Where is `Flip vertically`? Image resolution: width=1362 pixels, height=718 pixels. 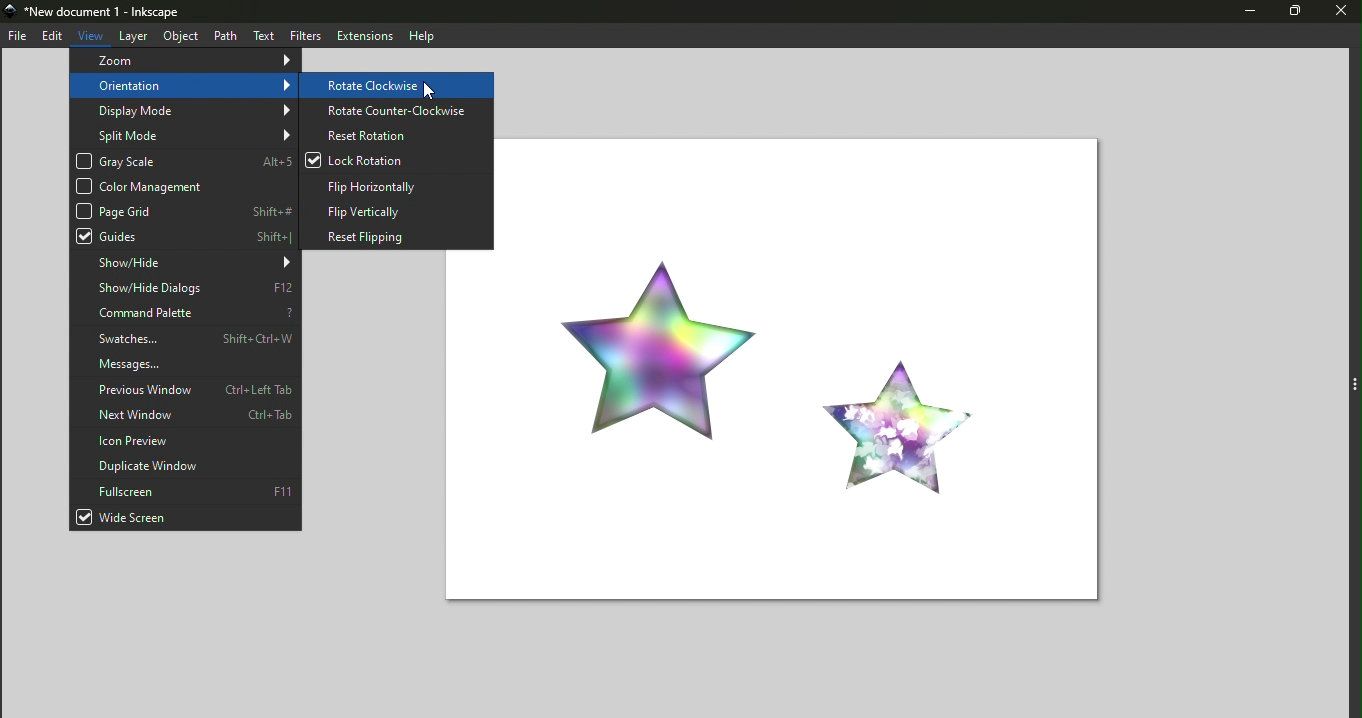
Flip vertically is located at coordinates (397, 209).